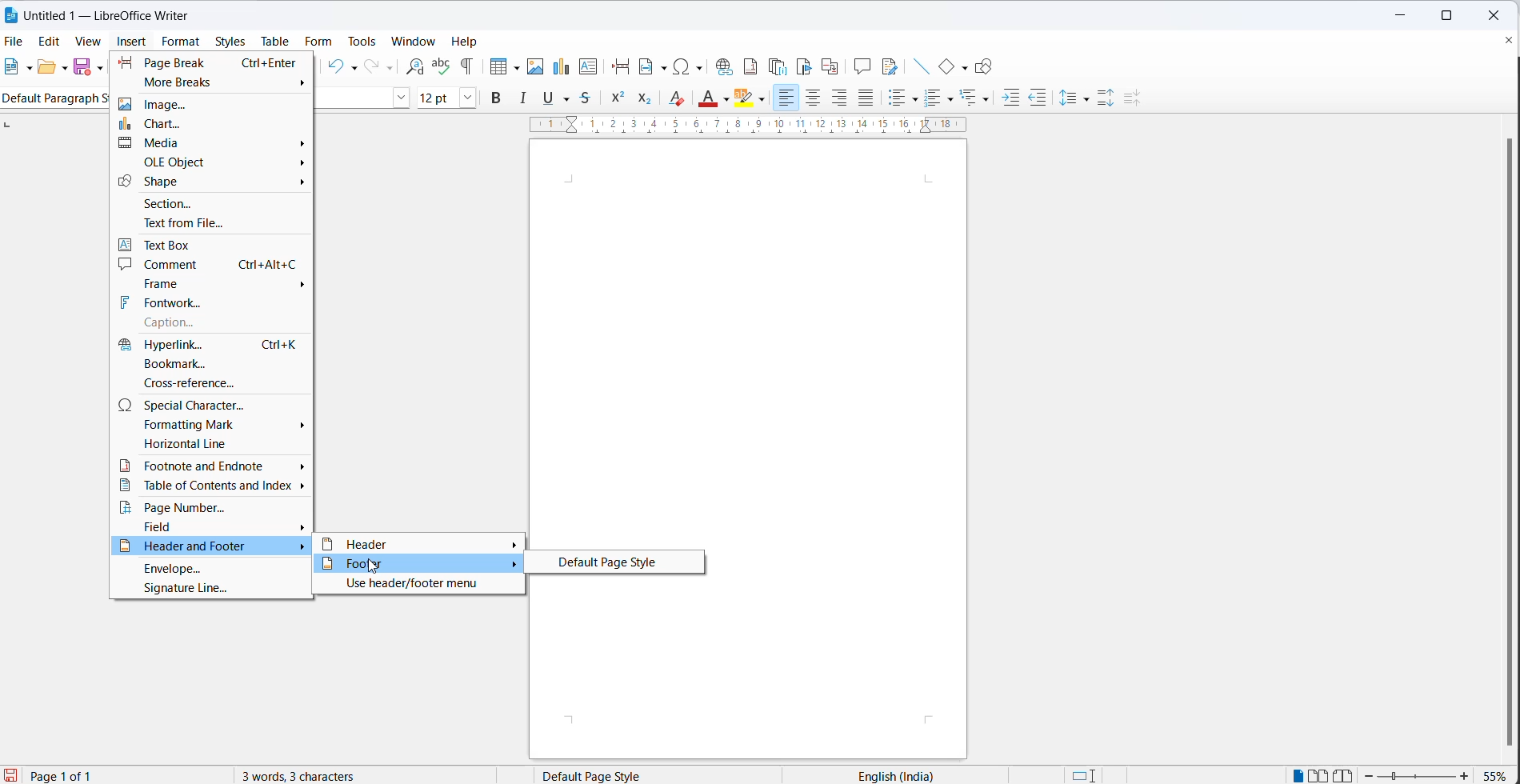 This screenshot has width=1520, height=784. Describe the element at coordinates (211, 143) in the screenshot. I see `media` at that location.